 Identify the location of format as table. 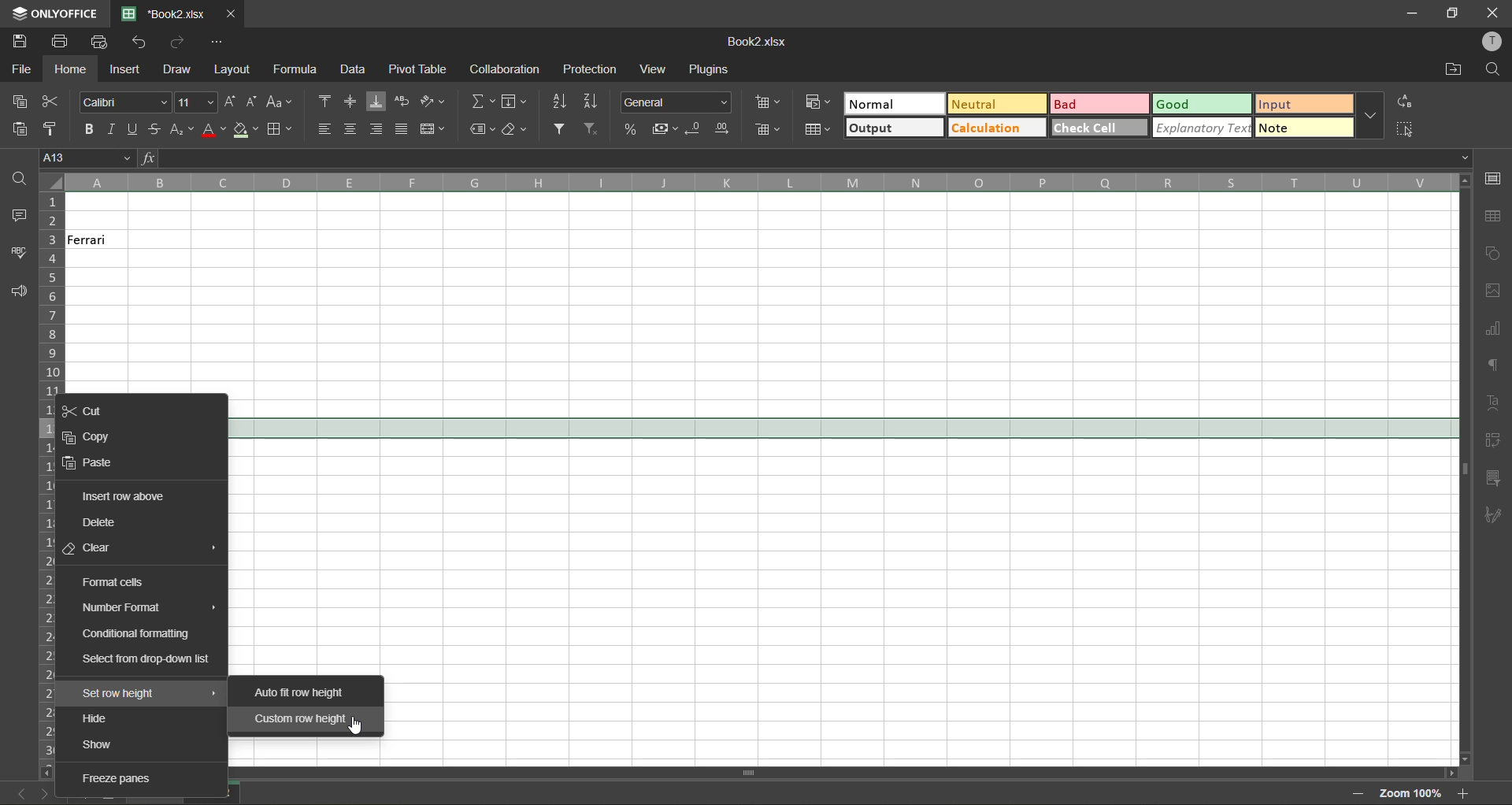
(817, 129).